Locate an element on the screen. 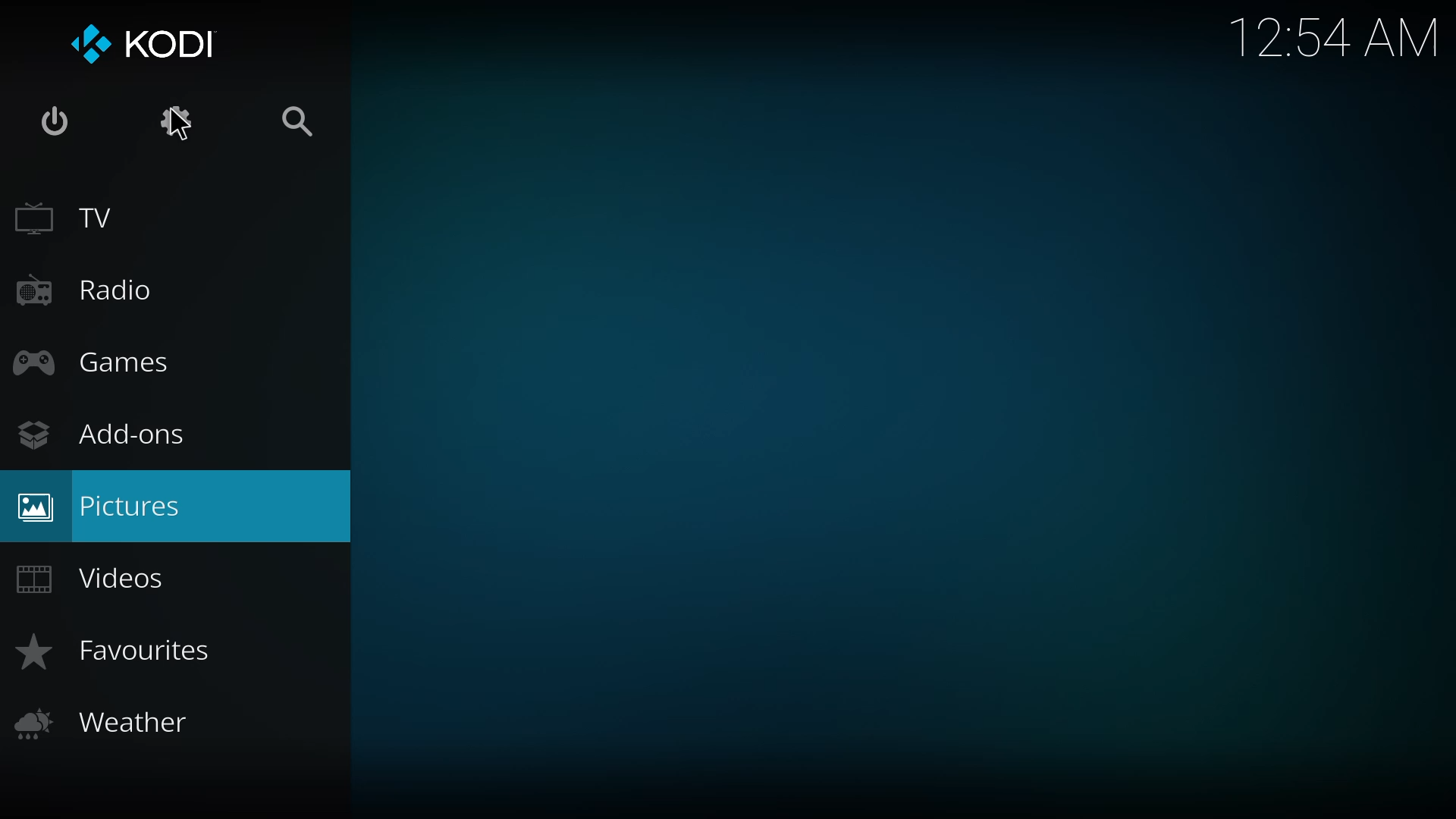 This screenshot has width=1456, height=819. games is located at coordinates (99, 365).